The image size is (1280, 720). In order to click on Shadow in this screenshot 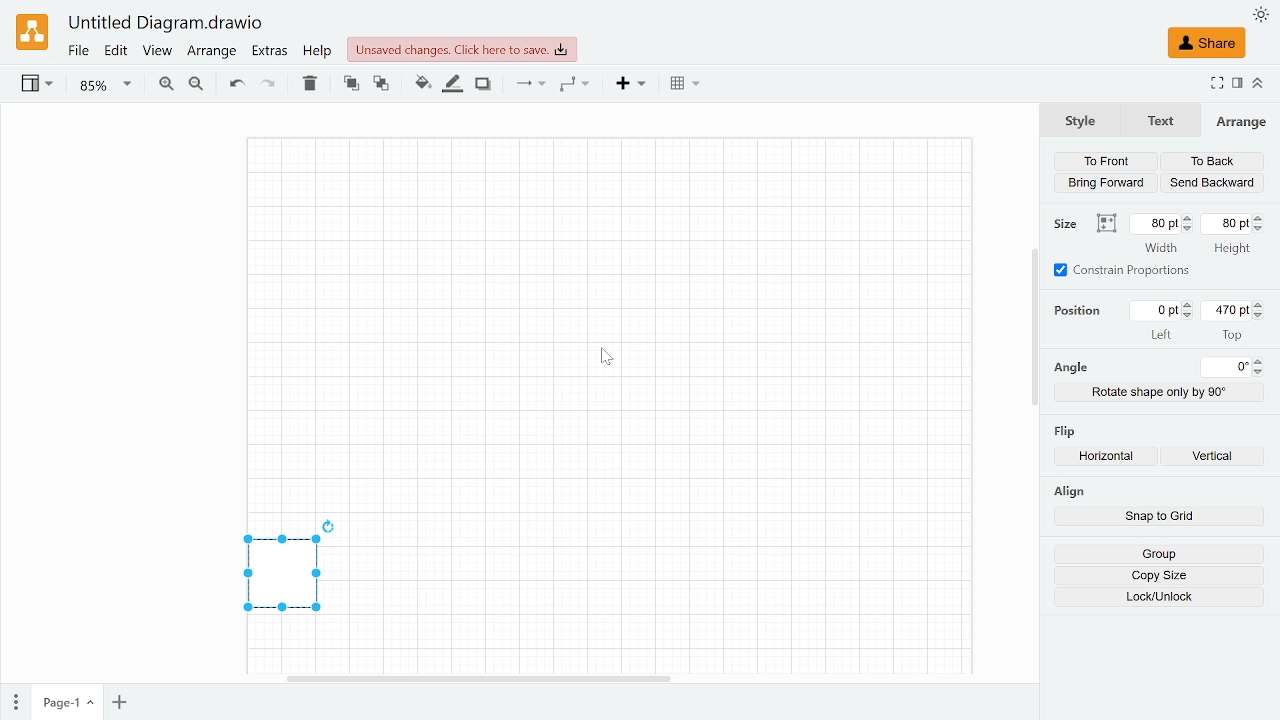, I will do `click(483, 85)`.